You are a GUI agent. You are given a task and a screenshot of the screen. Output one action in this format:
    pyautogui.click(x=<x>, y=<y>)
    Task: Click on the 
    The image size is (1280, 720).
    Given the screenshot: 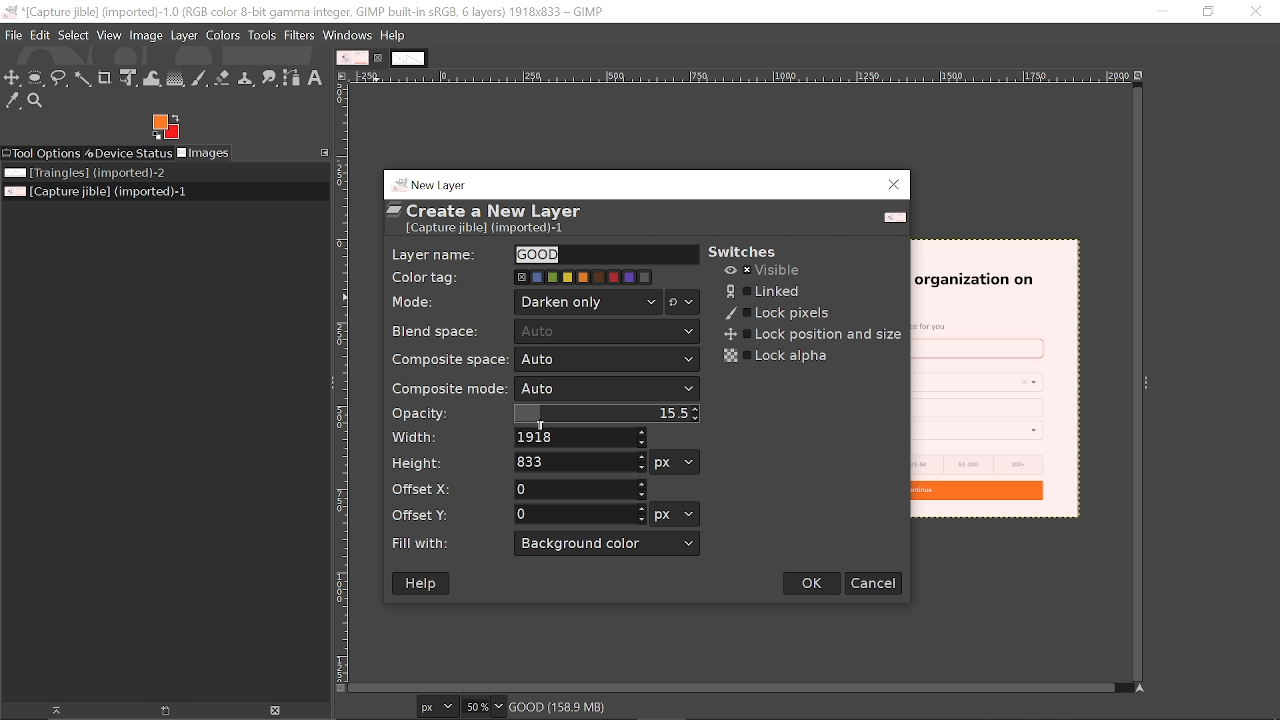 What is the action you would take?
    pyautogui.click(x=393, y=35)
    